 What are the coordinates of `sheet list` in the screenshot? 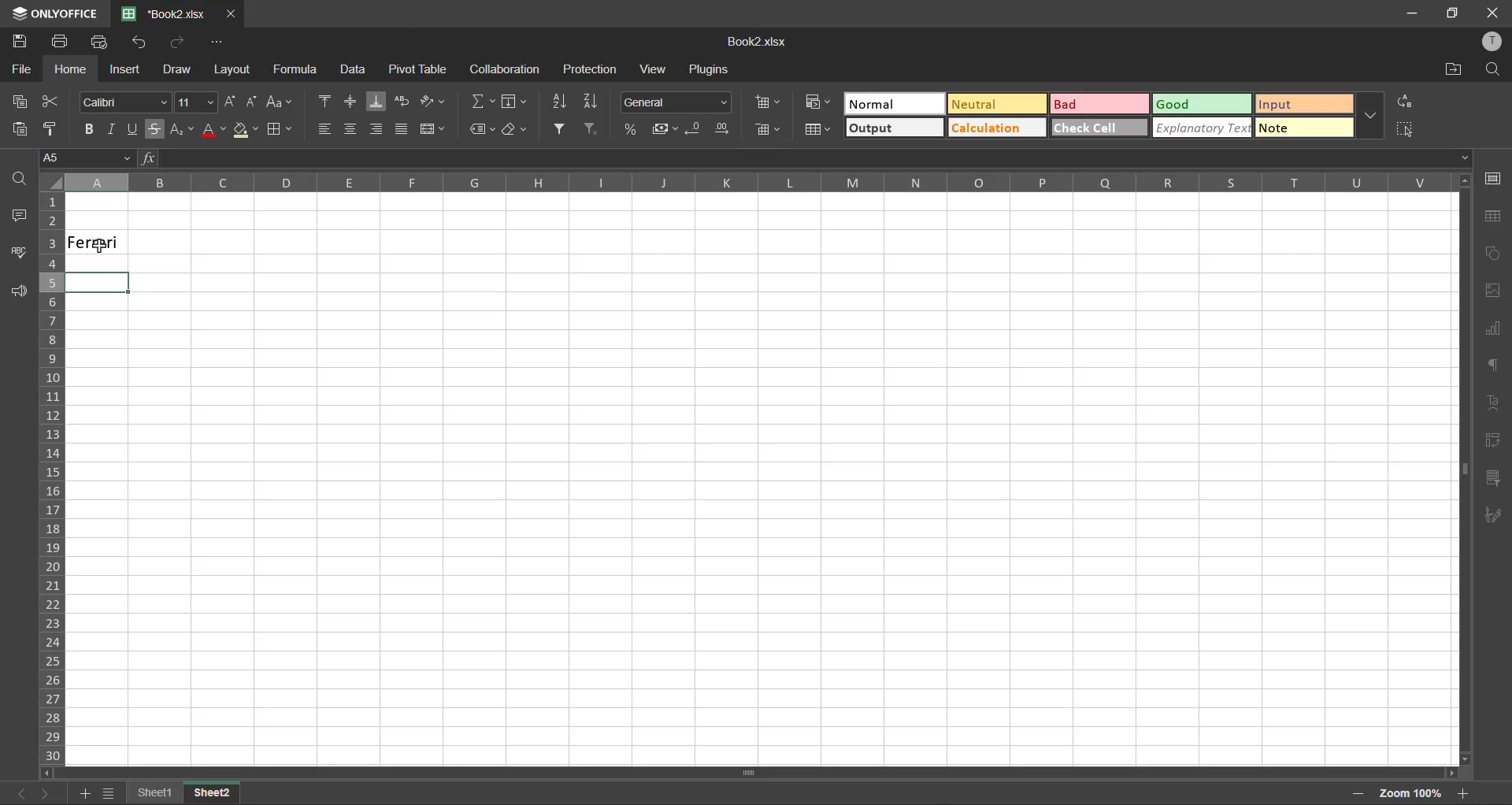 It's located at (107, 794).